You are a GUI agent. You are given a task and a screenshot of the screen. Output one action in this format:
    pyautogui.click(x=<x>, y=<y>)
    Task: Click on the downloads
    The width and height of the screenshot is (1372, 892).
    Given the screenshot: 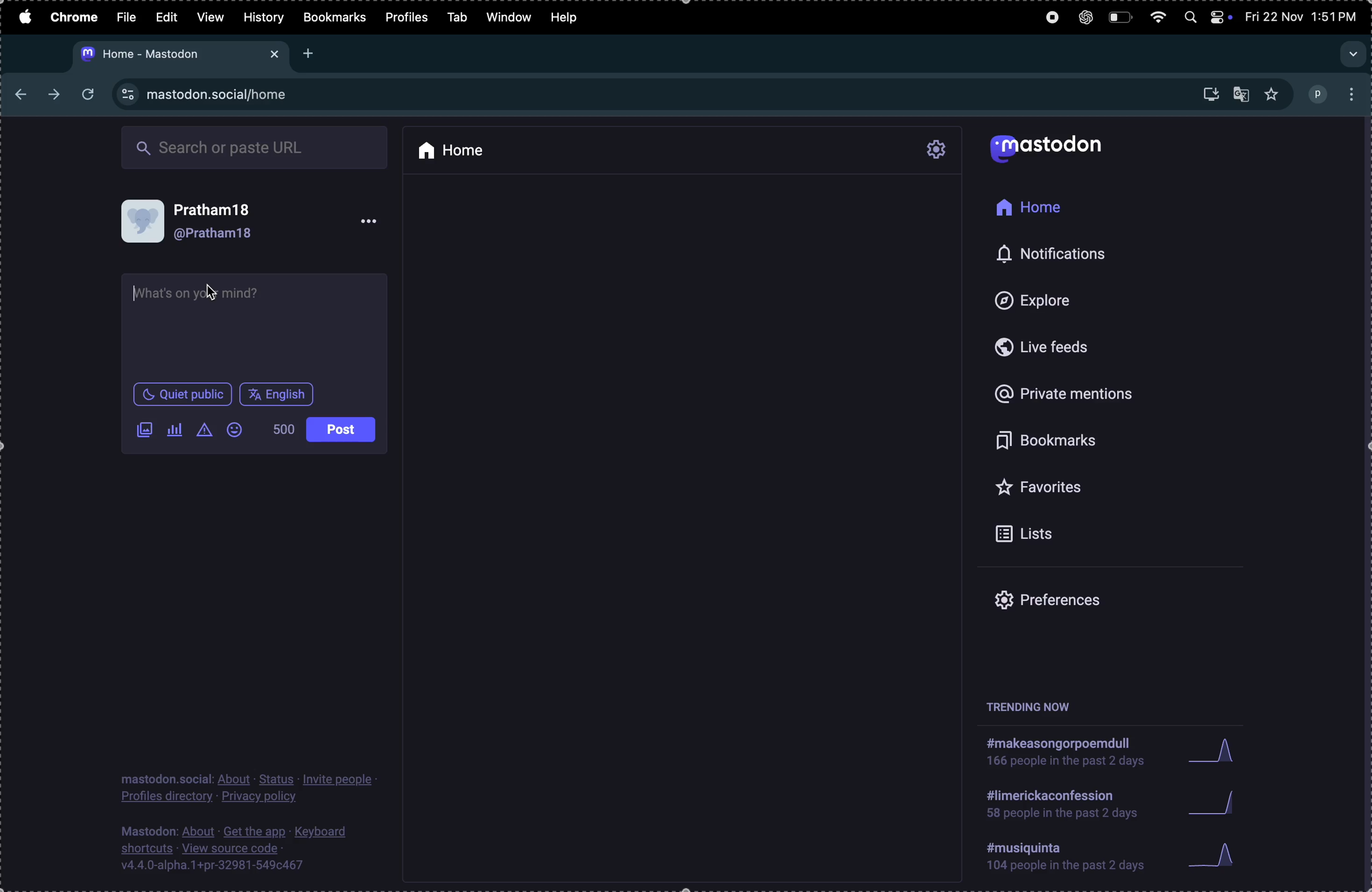 What is the action you would take?
    pyautogui.click(x=1206, y=92)
    